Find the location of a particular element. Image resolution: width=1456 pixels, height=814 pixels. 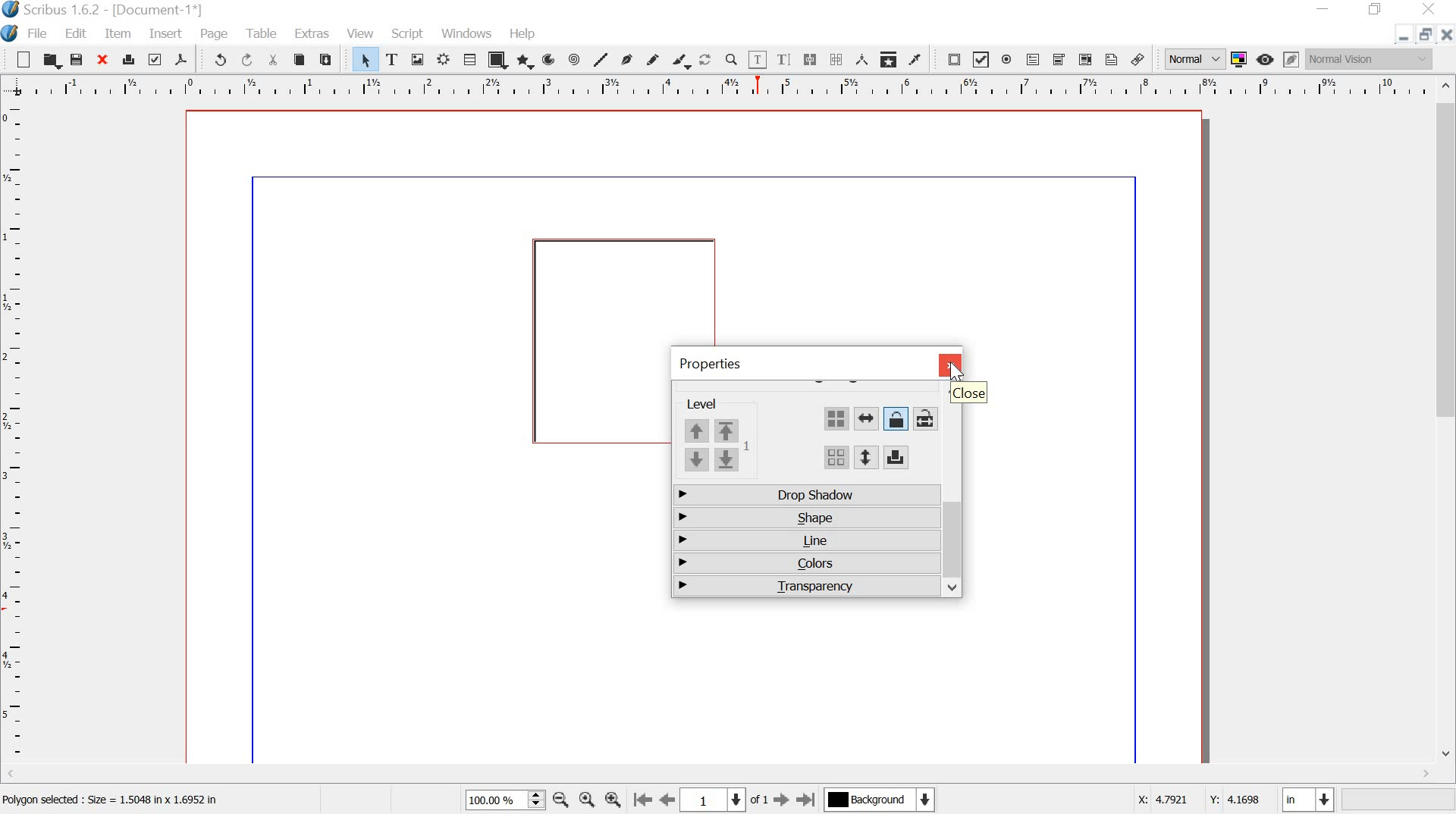

calligraphic line is located at coordinates (682, 62).